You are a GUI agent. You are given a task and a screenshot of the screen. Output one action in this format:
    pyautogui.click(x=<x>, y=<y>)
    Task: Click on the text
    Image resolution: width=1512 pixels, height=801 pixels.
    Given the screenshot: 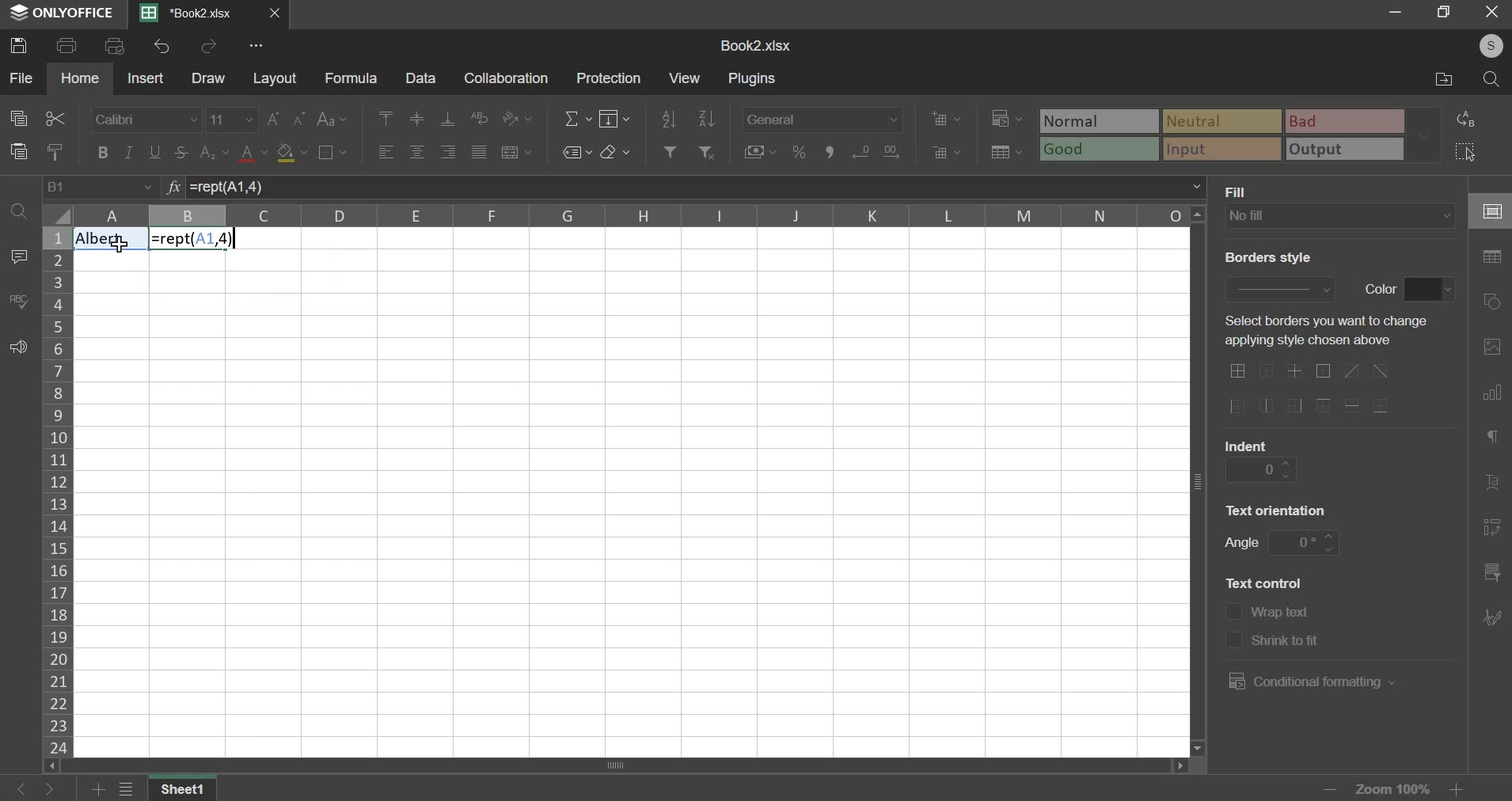 What is the action you would take?
    pyautogui.click(x=1282, y=512)
    